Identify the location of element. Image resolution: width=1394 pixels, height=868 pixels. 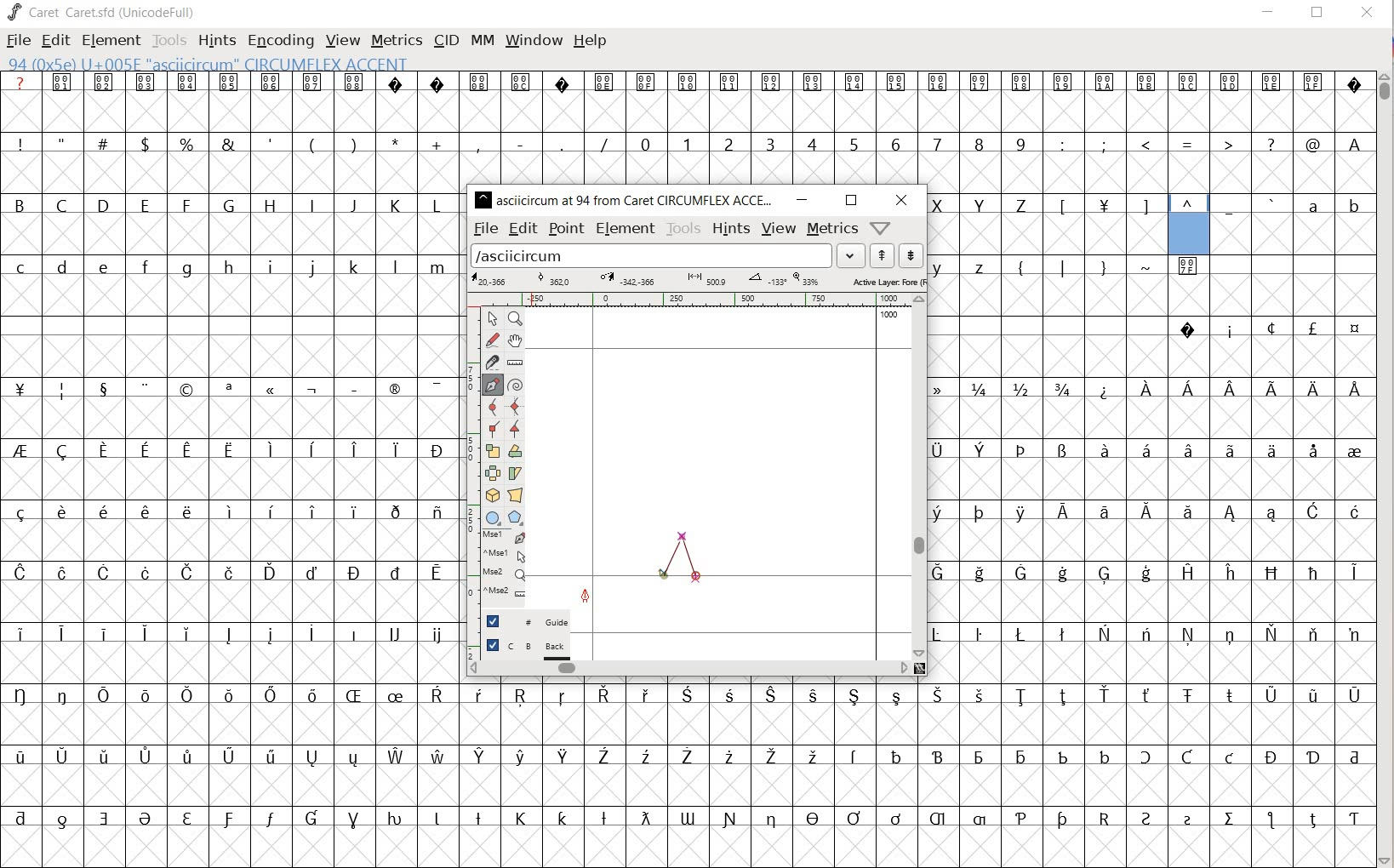
(626, 228).